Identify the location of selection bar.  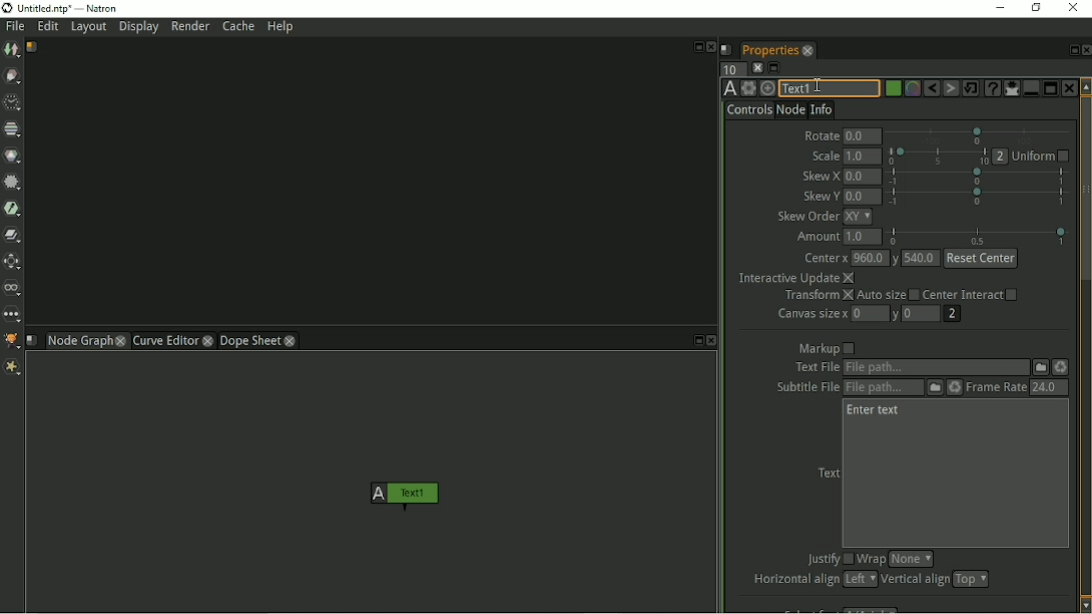
(978, 236).